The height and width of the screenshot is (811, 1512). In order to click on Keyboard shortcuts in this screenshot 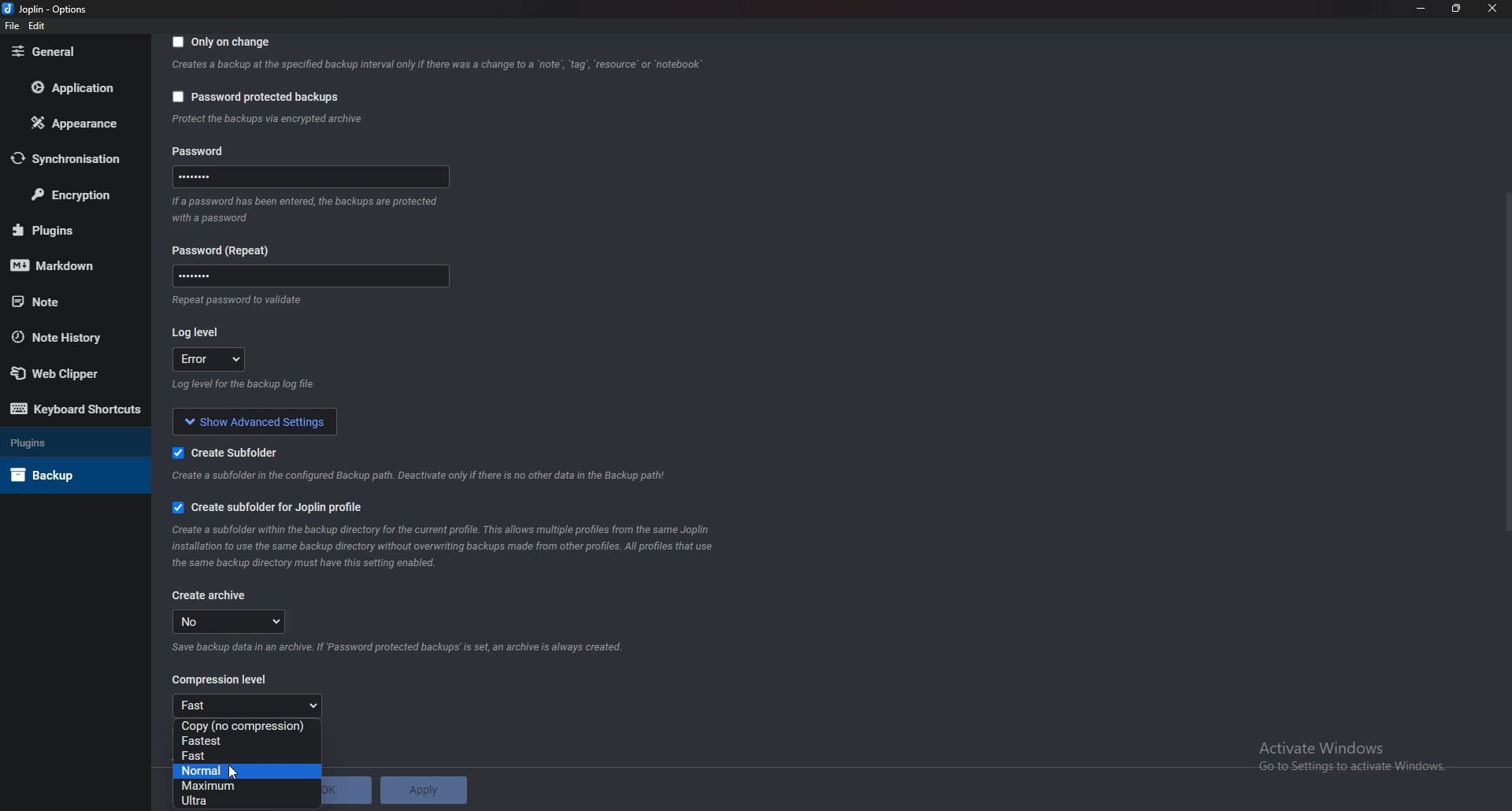, I will do `click(76, 408)`.